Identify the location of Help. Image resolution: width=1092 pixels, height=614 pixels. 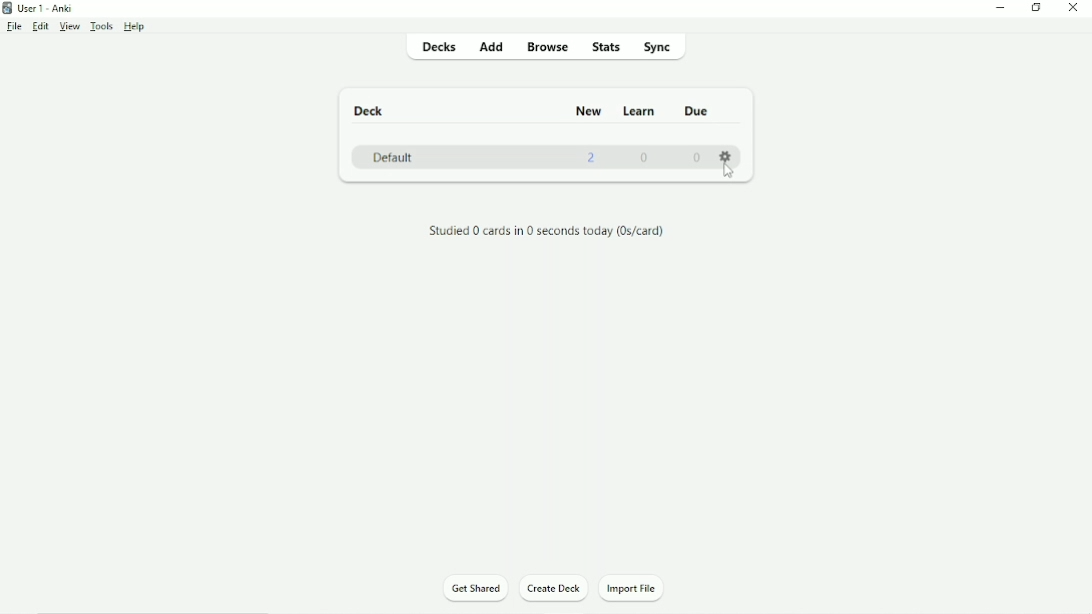
(136, 26).